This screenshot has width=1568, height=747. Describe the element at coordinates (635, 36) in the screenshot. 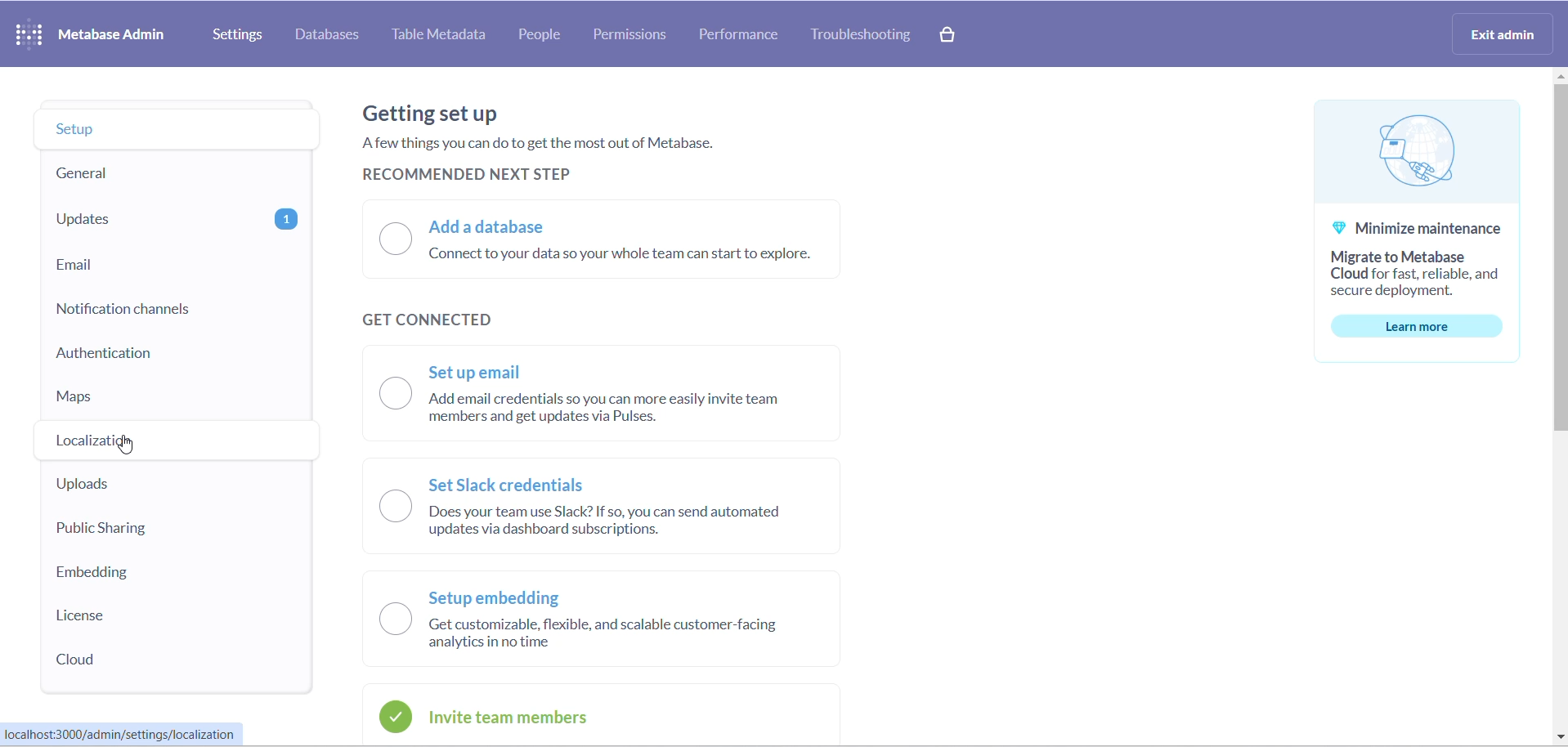

I see `PERMISSIONS` at that location.